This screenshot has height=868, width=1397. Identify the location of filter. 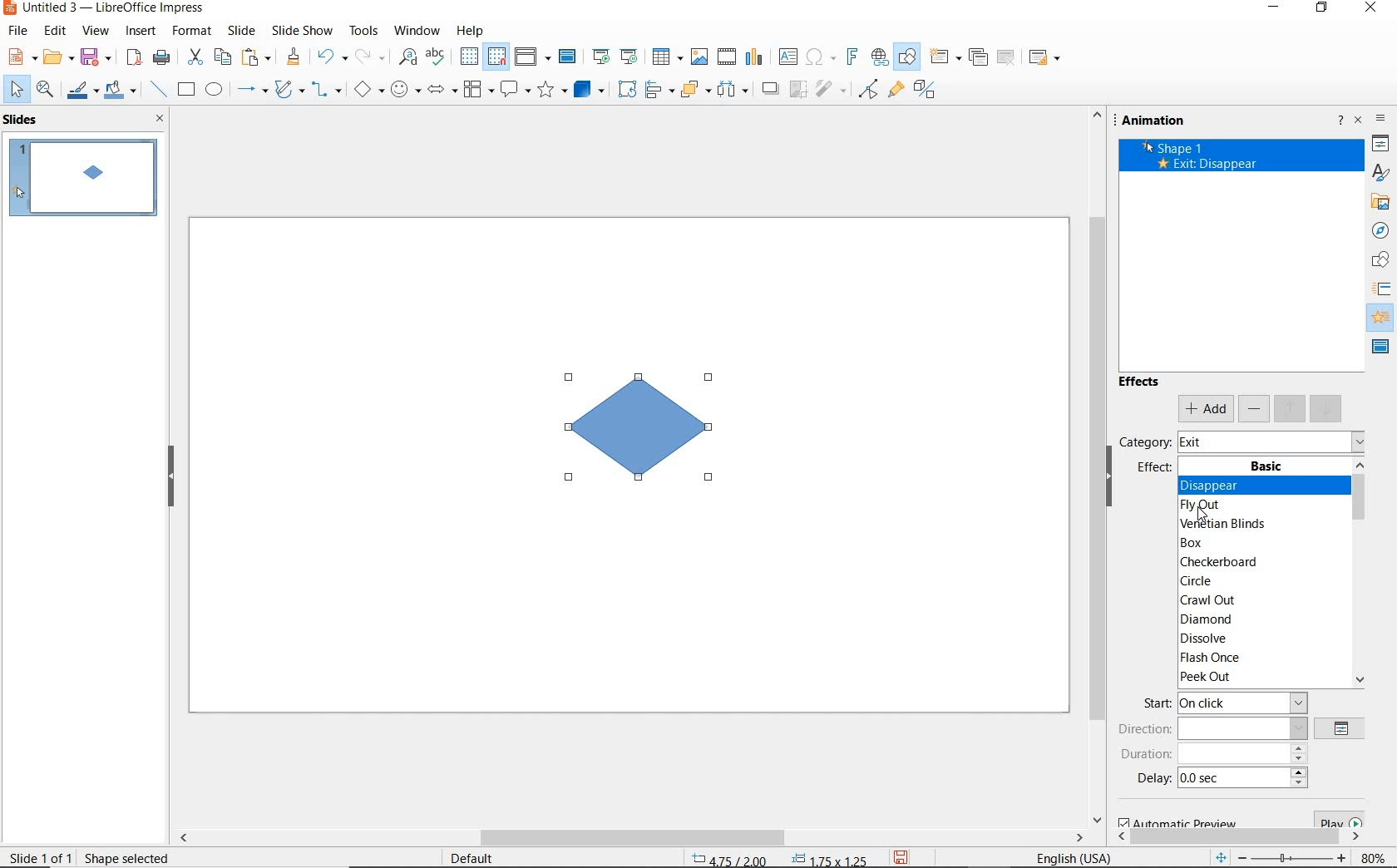
(830, 91).